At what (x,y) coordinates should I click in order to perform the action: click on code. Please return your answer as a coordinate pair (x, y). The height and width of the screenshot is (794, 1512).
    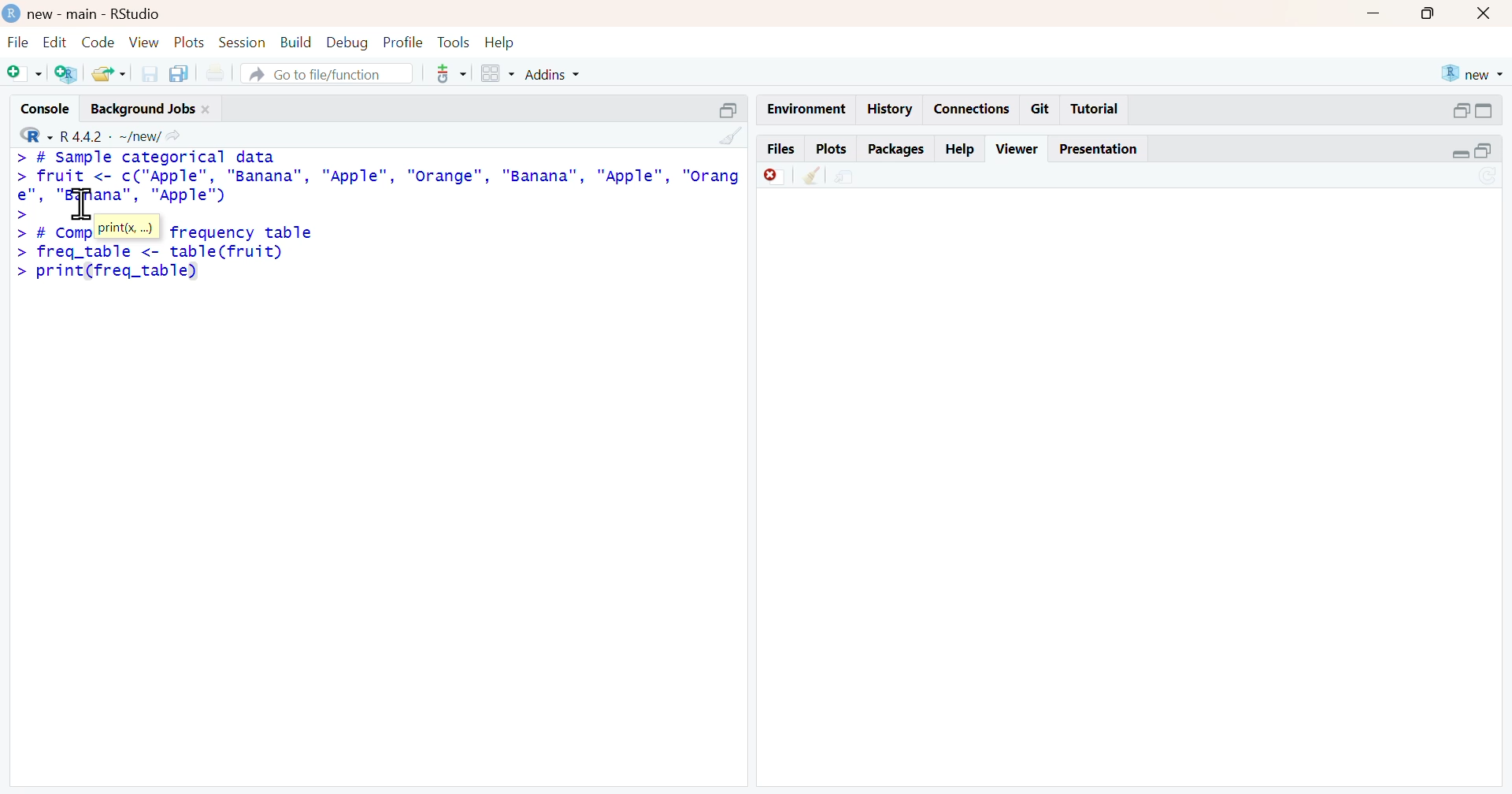
    Looking at the image, I should click on (102, 43).